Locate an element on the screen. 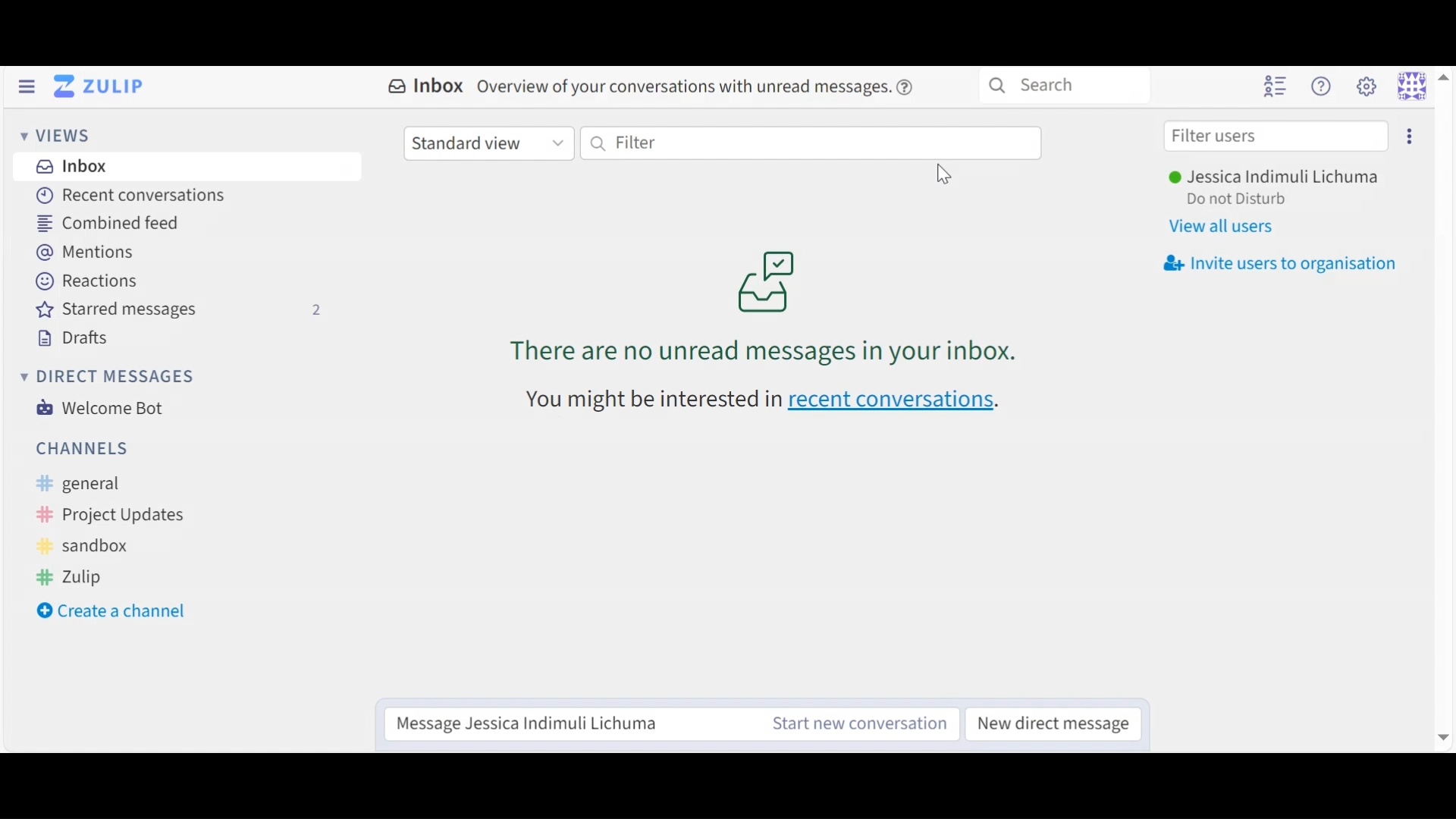 The image size is (1456, 819). Views is located at coordinates (60, 137).